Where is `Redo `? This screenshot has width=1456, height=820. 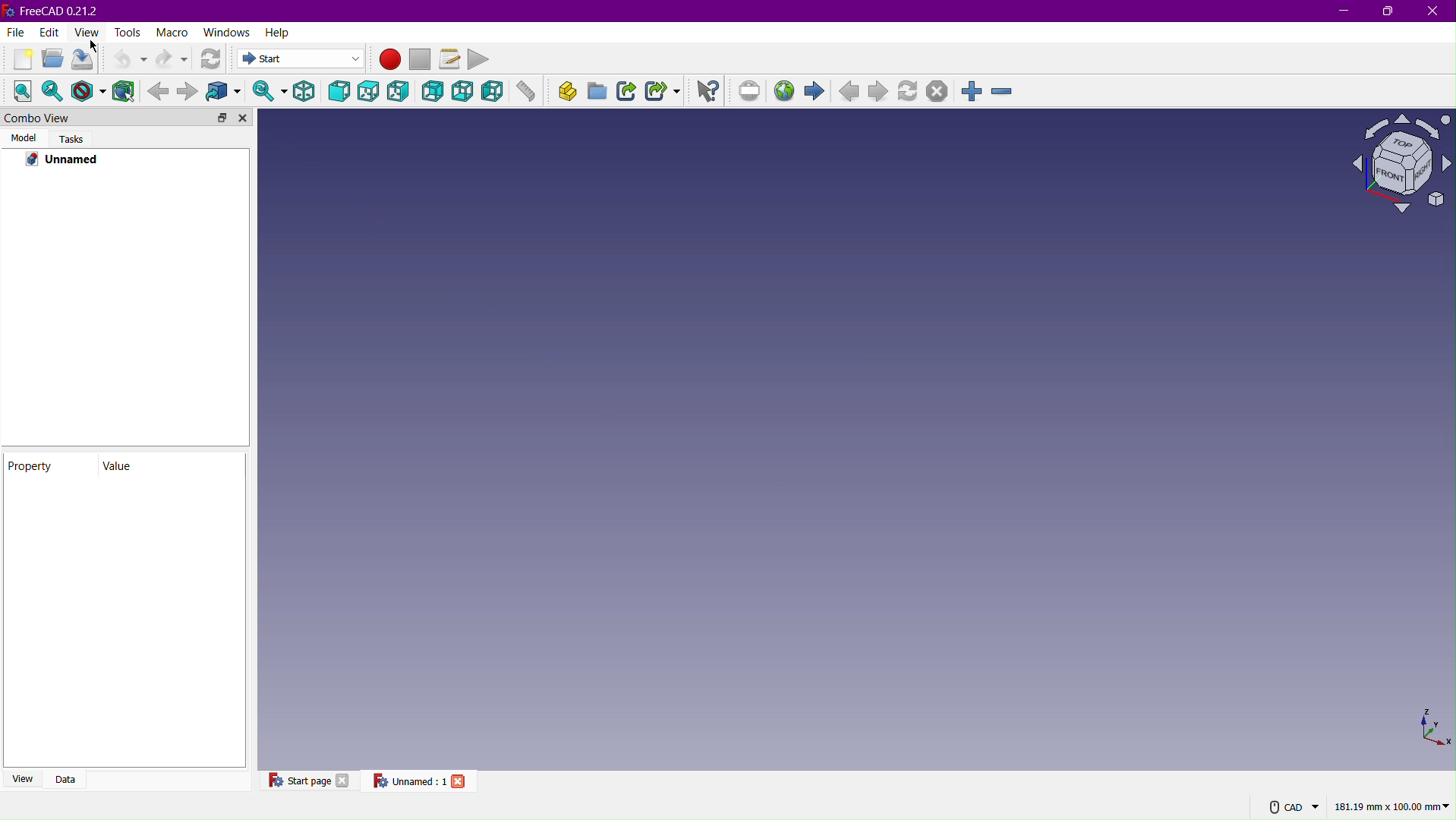 Redo  is located at coordinates (171, 58).